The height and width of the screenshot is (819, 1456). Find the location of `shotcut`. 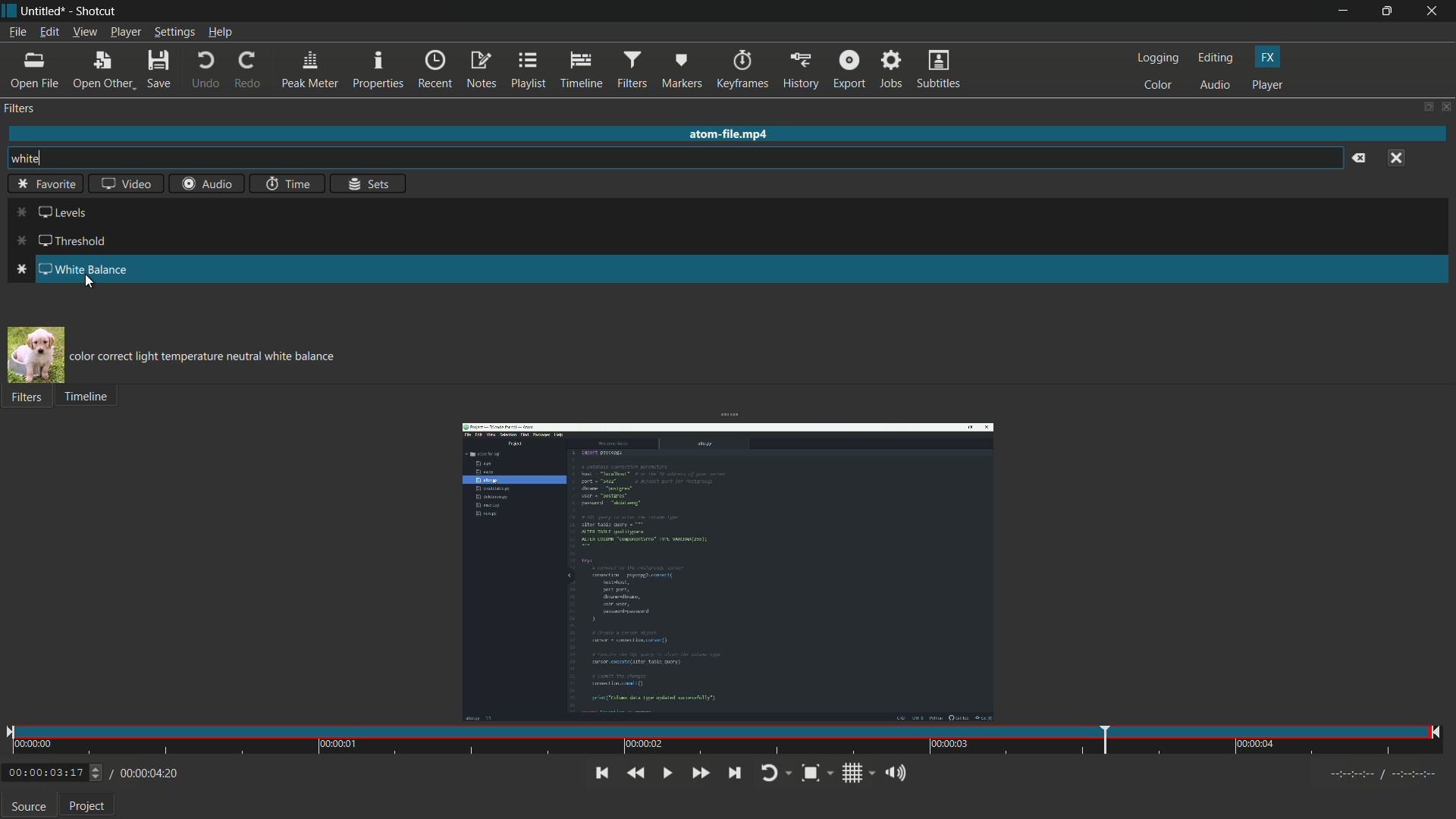

shotcut is located at coordinates (97, 11).